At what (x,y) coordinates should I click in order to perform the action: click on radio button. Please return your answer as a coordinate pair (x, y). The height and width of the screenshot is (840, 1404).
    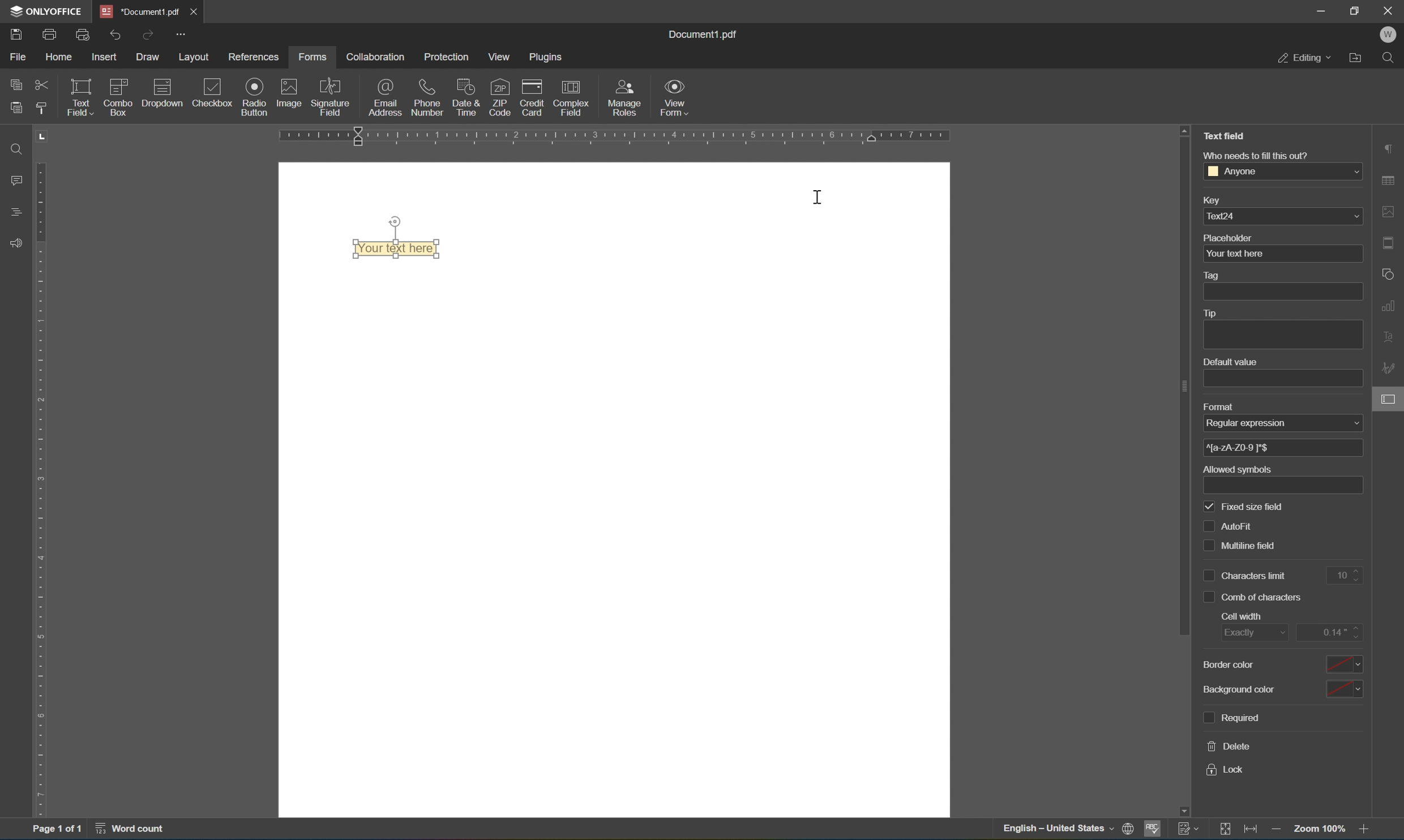
    Looking at the image, I should click on (256, 96).